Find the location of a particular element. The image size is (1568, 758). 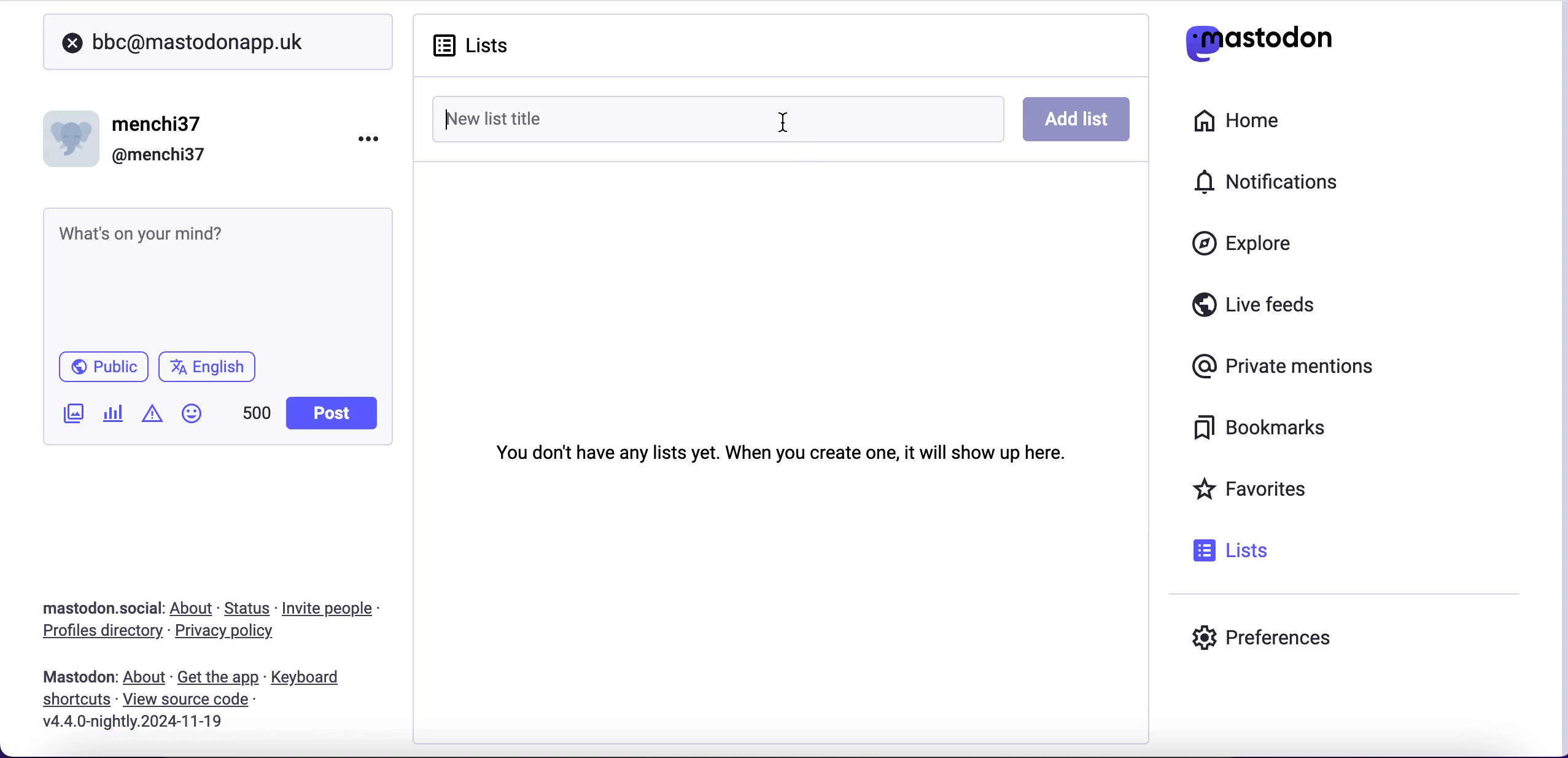

user search is located at coordinates (217, 42).